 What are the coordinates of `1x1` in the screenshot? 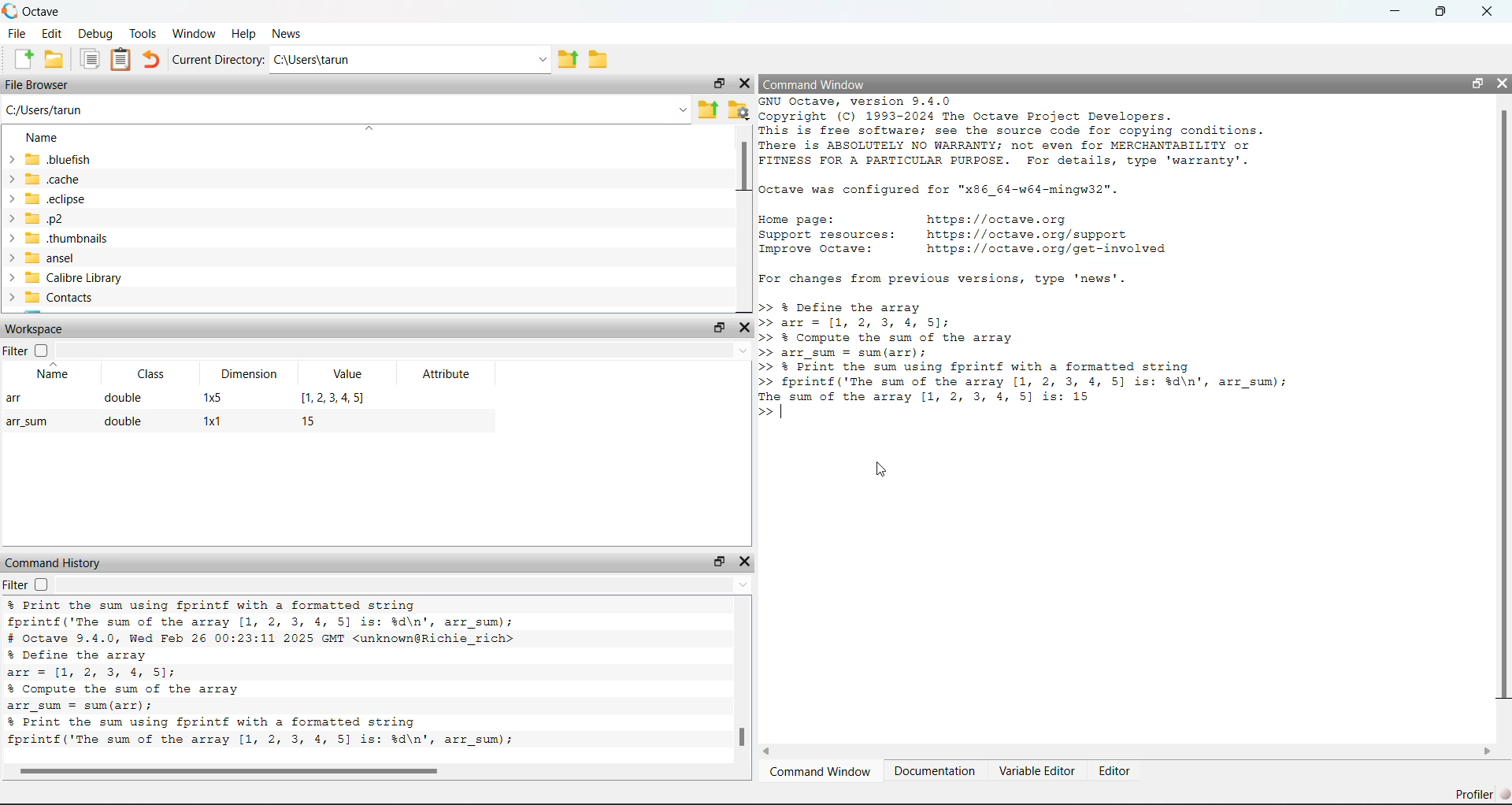 It's located at (210, 421).